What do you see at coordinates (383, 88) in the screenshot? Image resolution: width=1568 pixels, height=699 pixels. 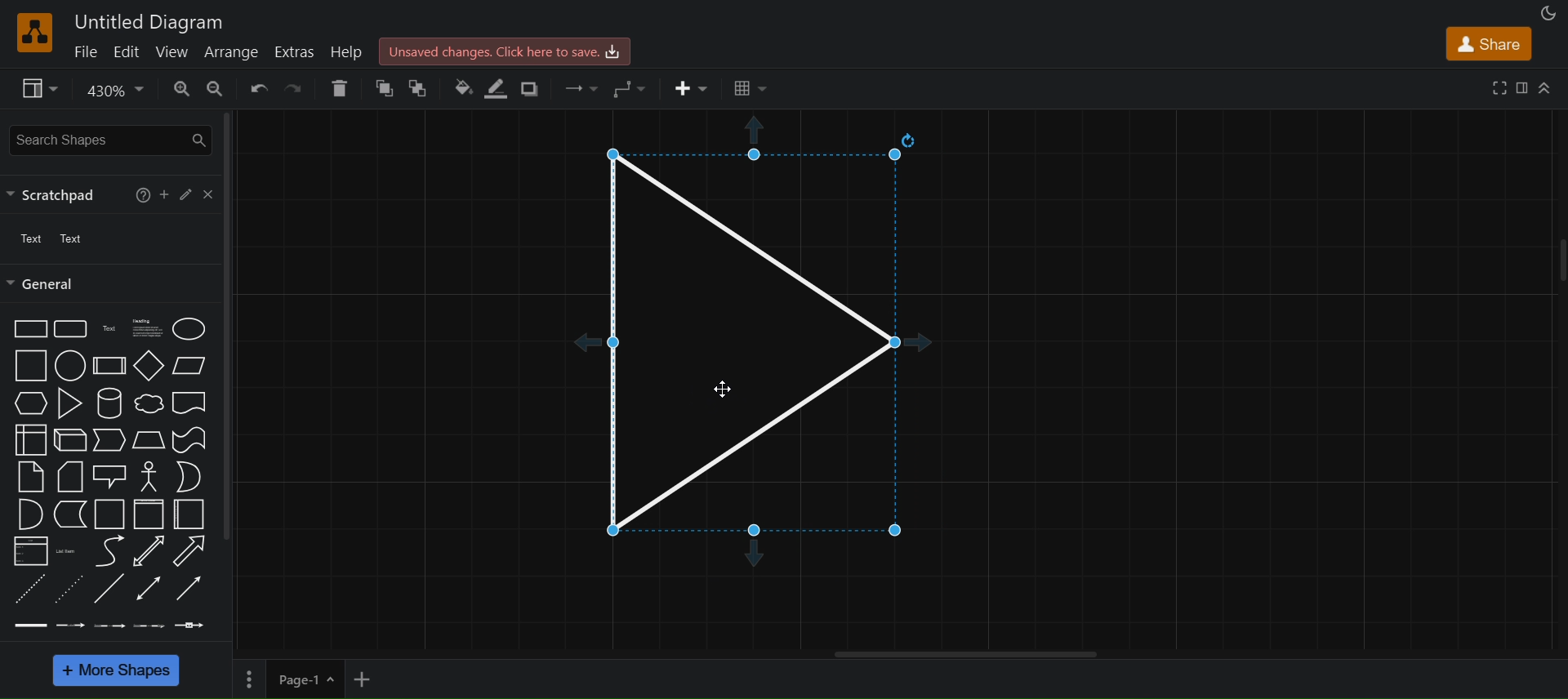 I see `to front` at bounding box center [383, 88].